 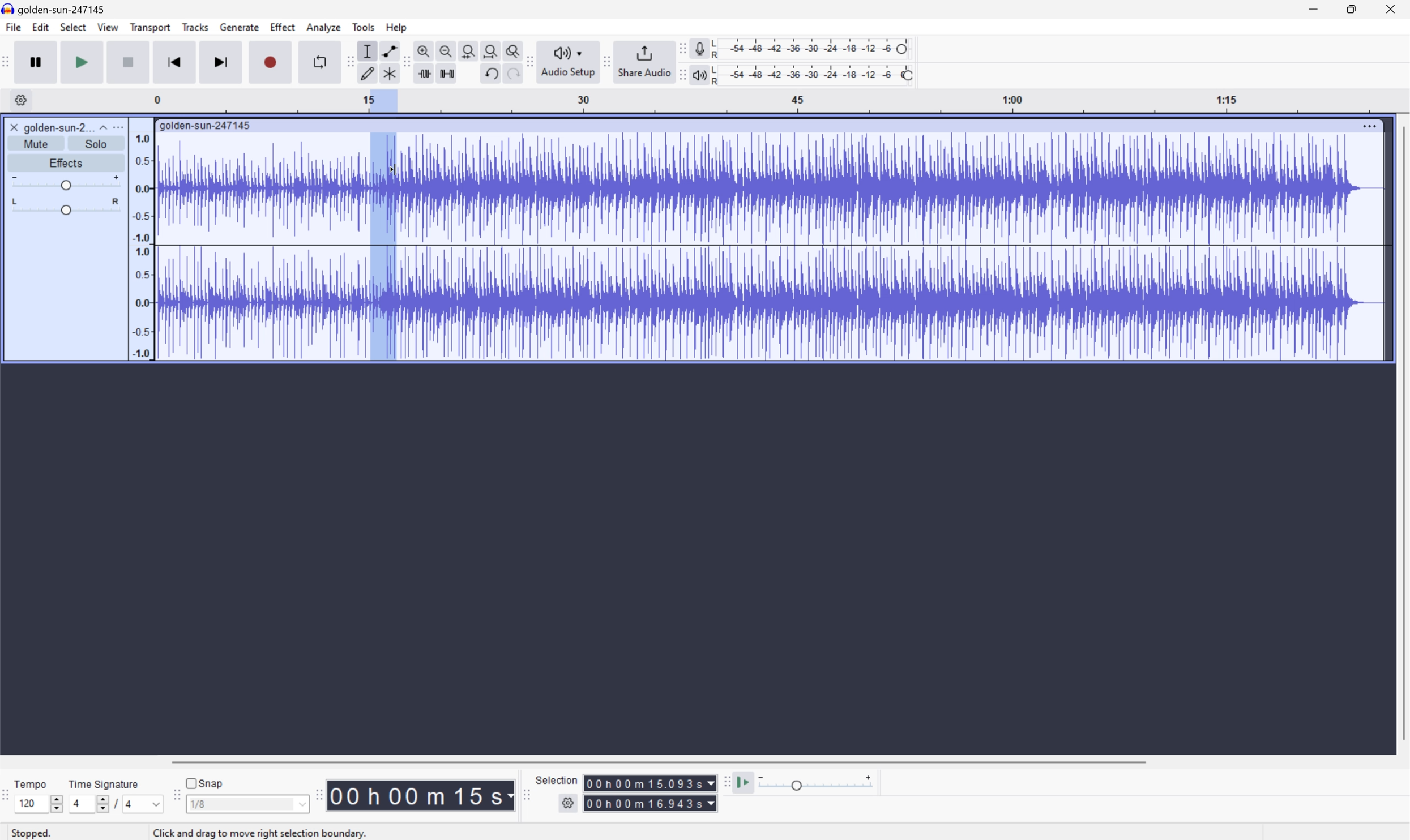 I want to click on Selection, so click(x=557, y=779).